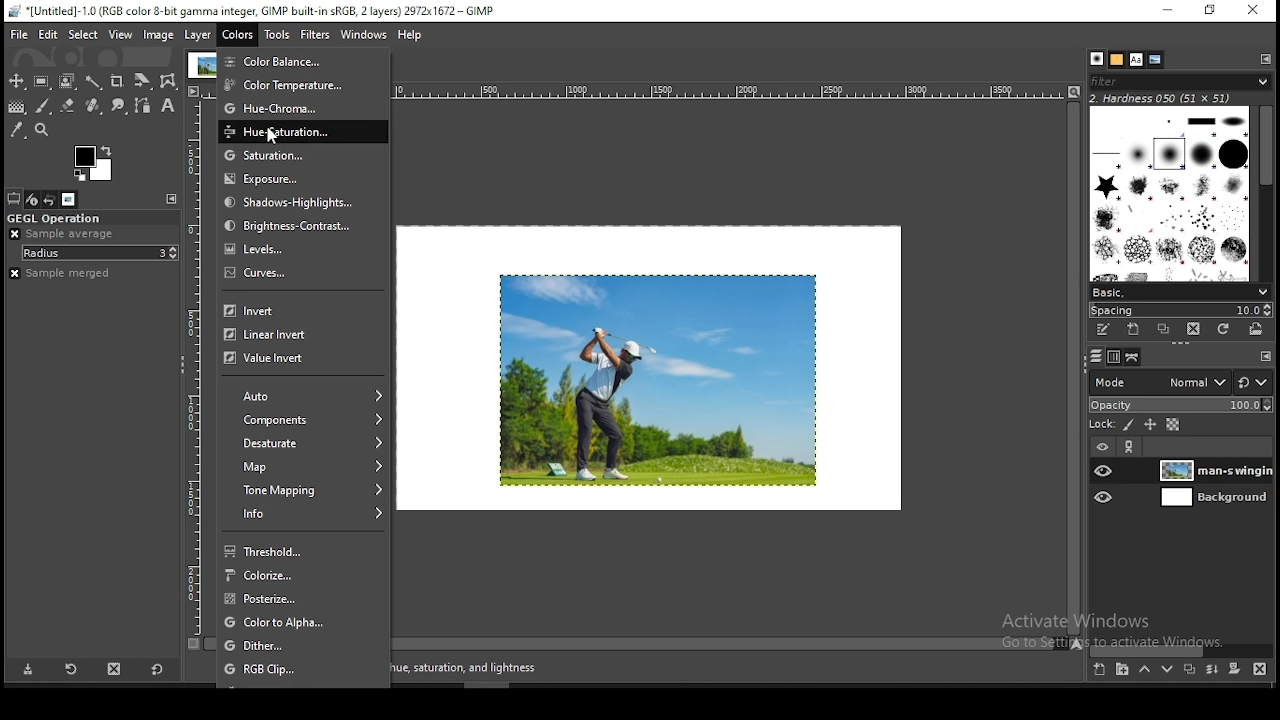 This screenshot has height=720, width=1280. Describe the element at coordinates (1212, 12) in the screenshot. I see `restore` at that location.